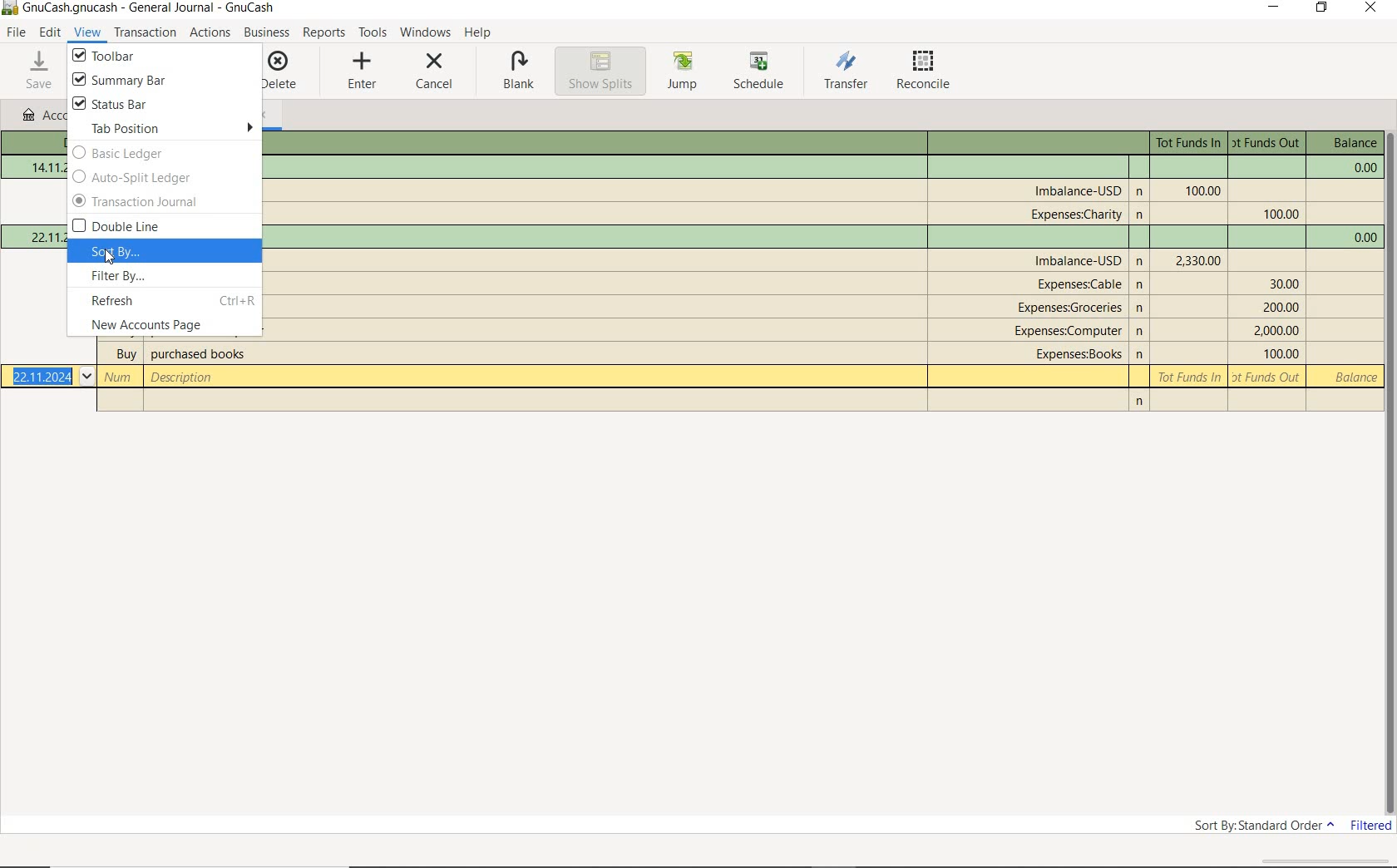 The height and width of the screenshot is (868, 1397). Describe the element at coordinates (41, 71) in the screenshot. I see `SAVE` at that location.